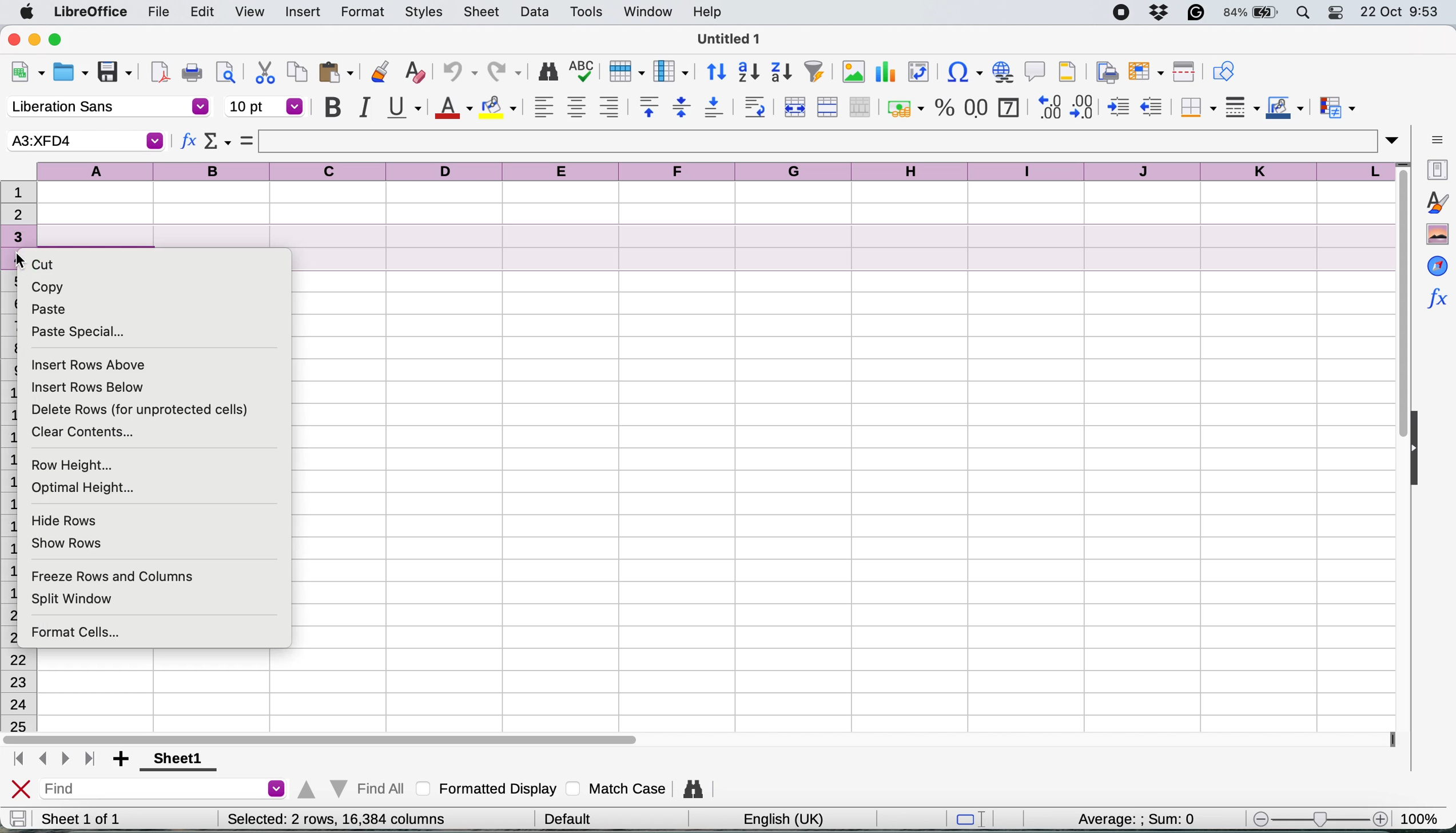 This screenshot has height=833, width=1456. Describe the element at coordinates (576, 108) in the screenshot. I see `align center` at that location.